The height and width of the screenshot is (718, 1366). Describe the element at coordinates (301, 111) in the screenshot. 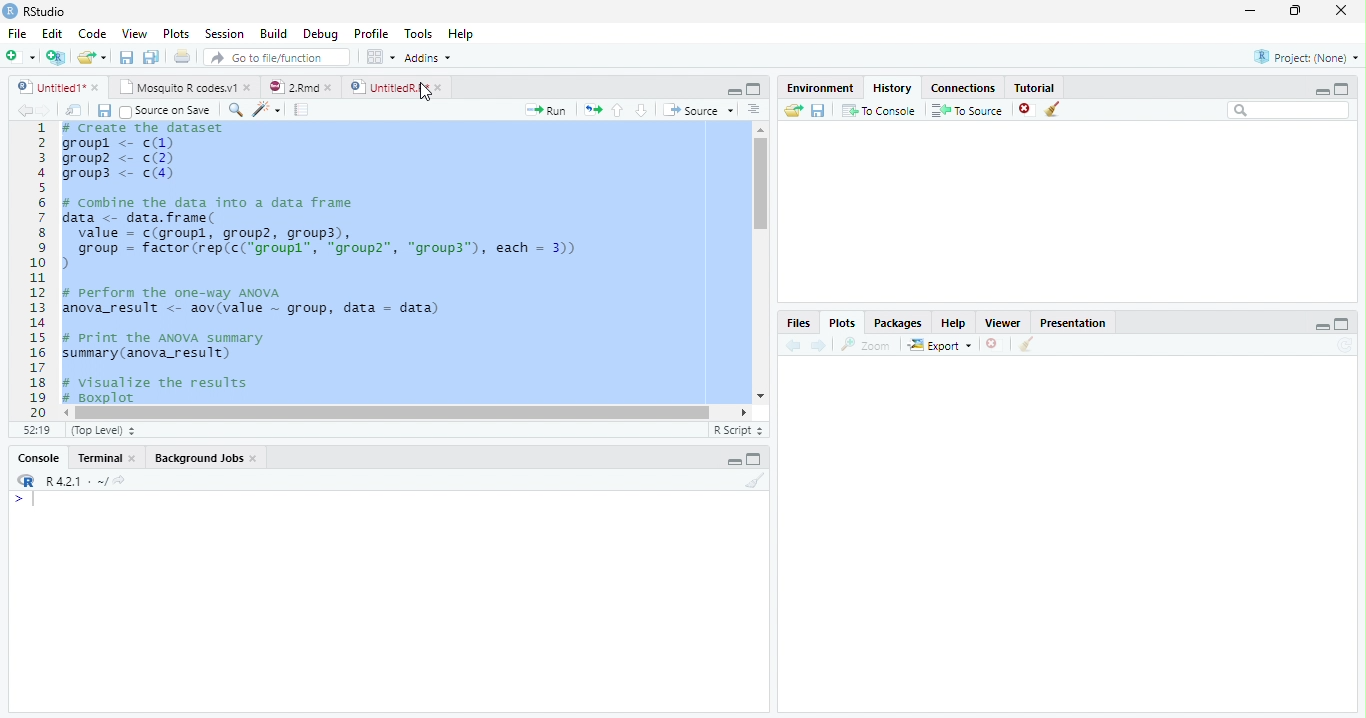

I see `Pages` at that location.